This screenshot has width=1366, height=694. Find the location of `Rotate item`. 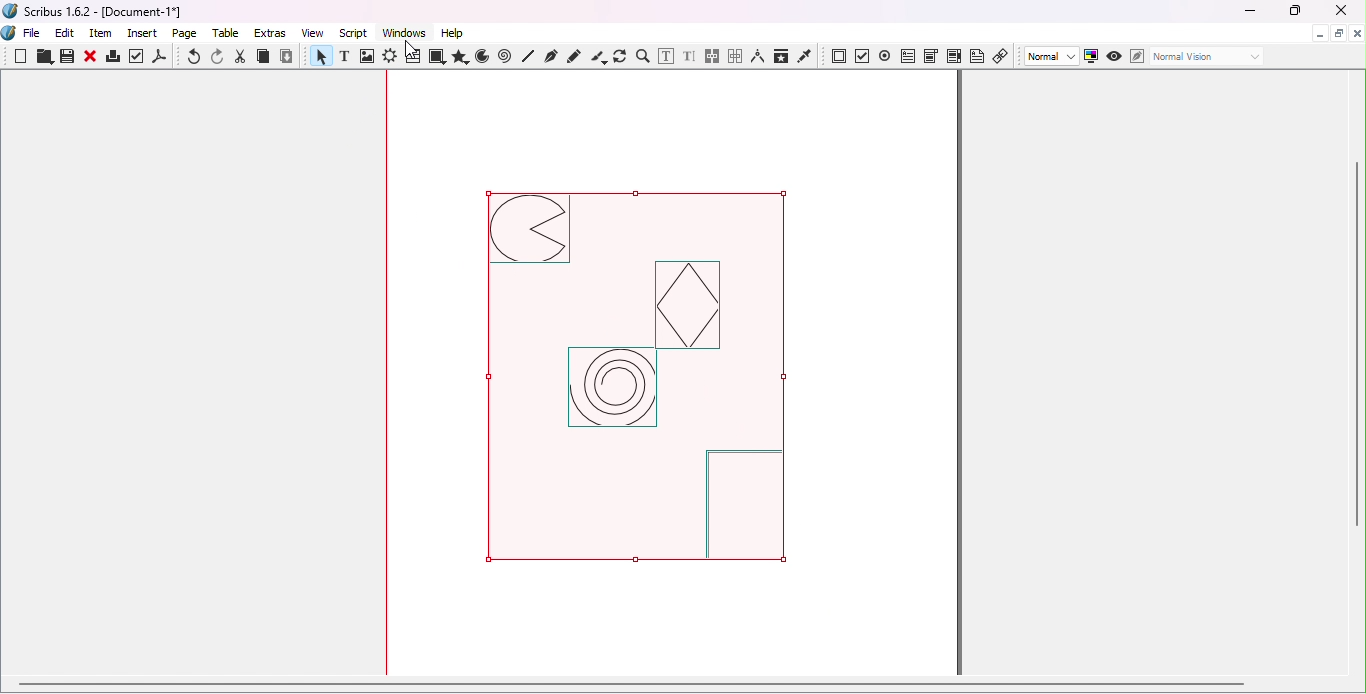

Rotate item is located at coordinates (620, 56).